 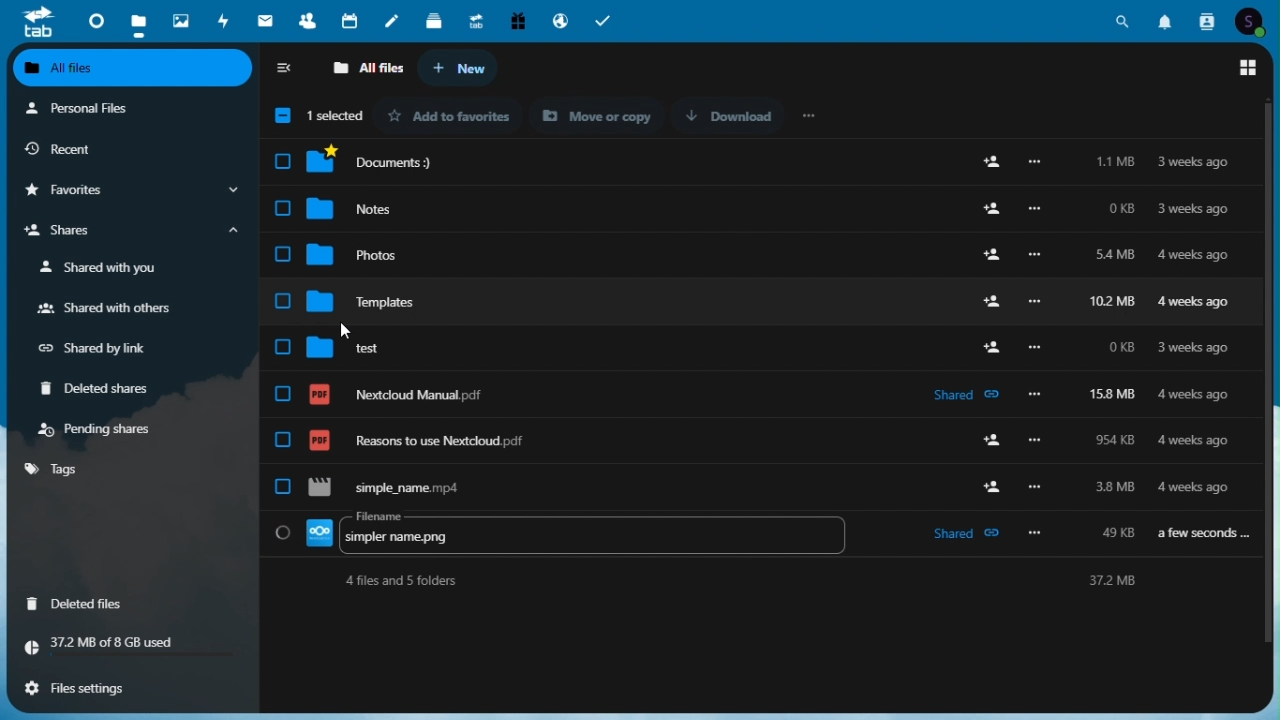 What do you see at coordinates (286, 70) in the screenshot?
I see `collapse sidebar` at bounding box center [286, 70].